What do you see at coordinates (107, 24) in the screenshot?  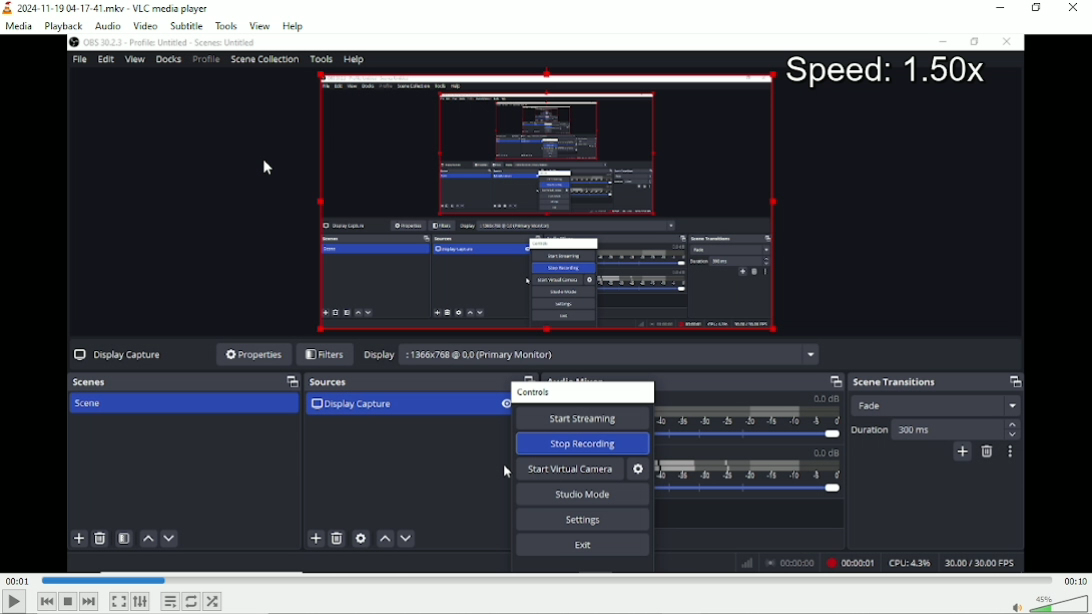 I see `audio` at bounding box center [107, 24].